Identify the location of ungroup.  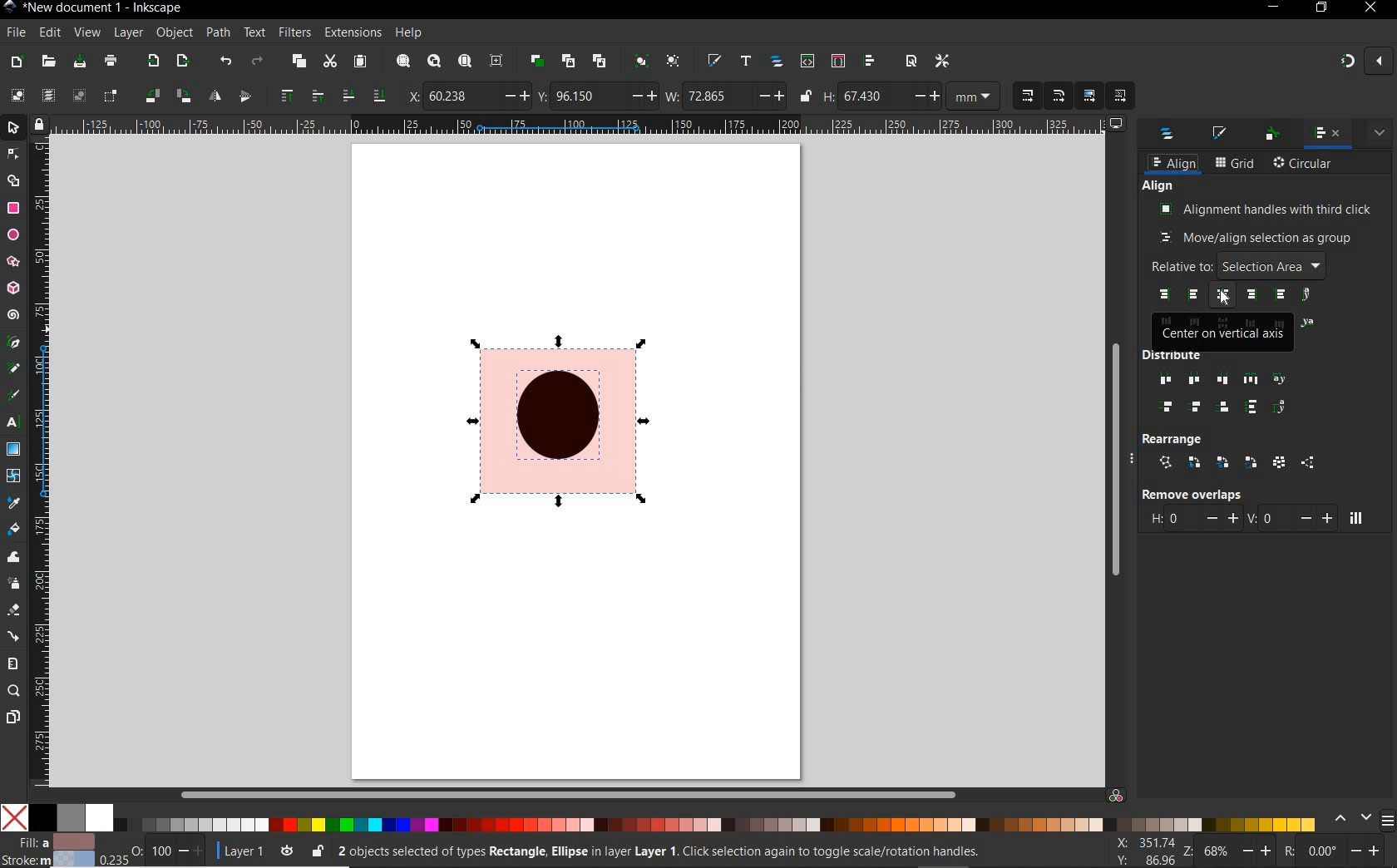
(674, 61).